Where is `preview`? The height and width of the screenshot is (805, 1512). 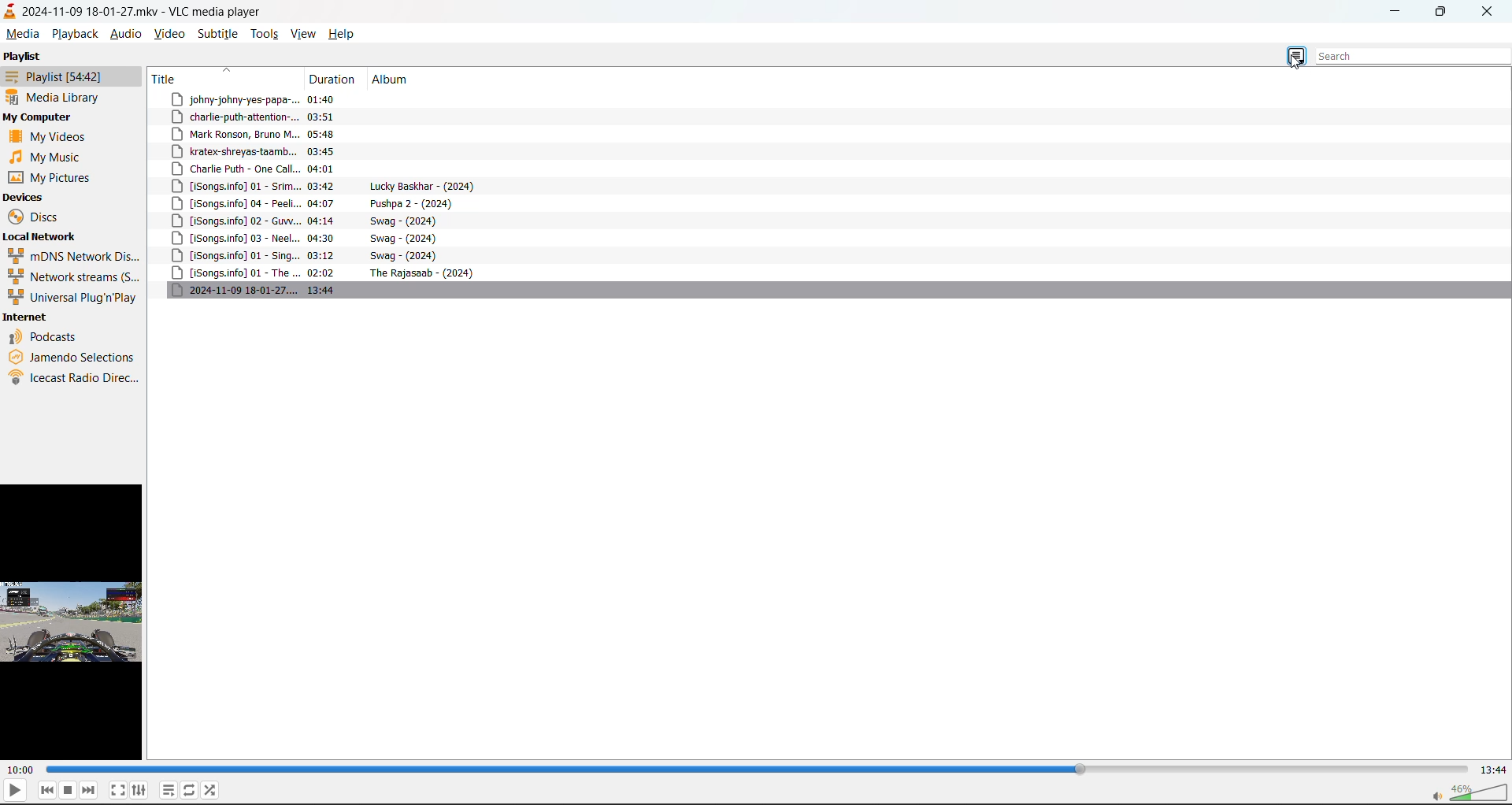
preview is located at coordinates (74, 622).